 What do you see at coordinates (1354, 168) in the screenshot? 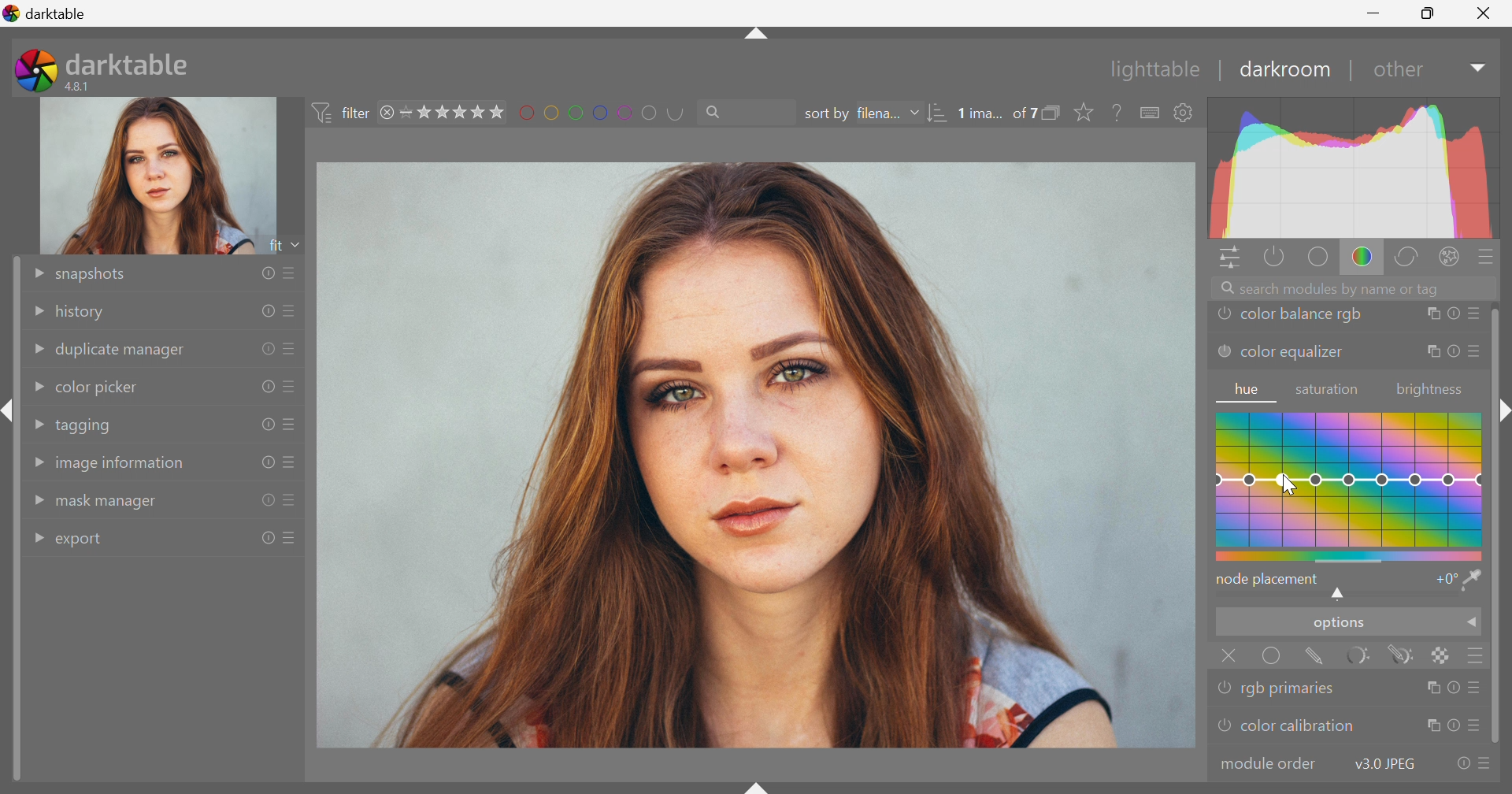
I see `graph` at bounding box center [1354, 168].